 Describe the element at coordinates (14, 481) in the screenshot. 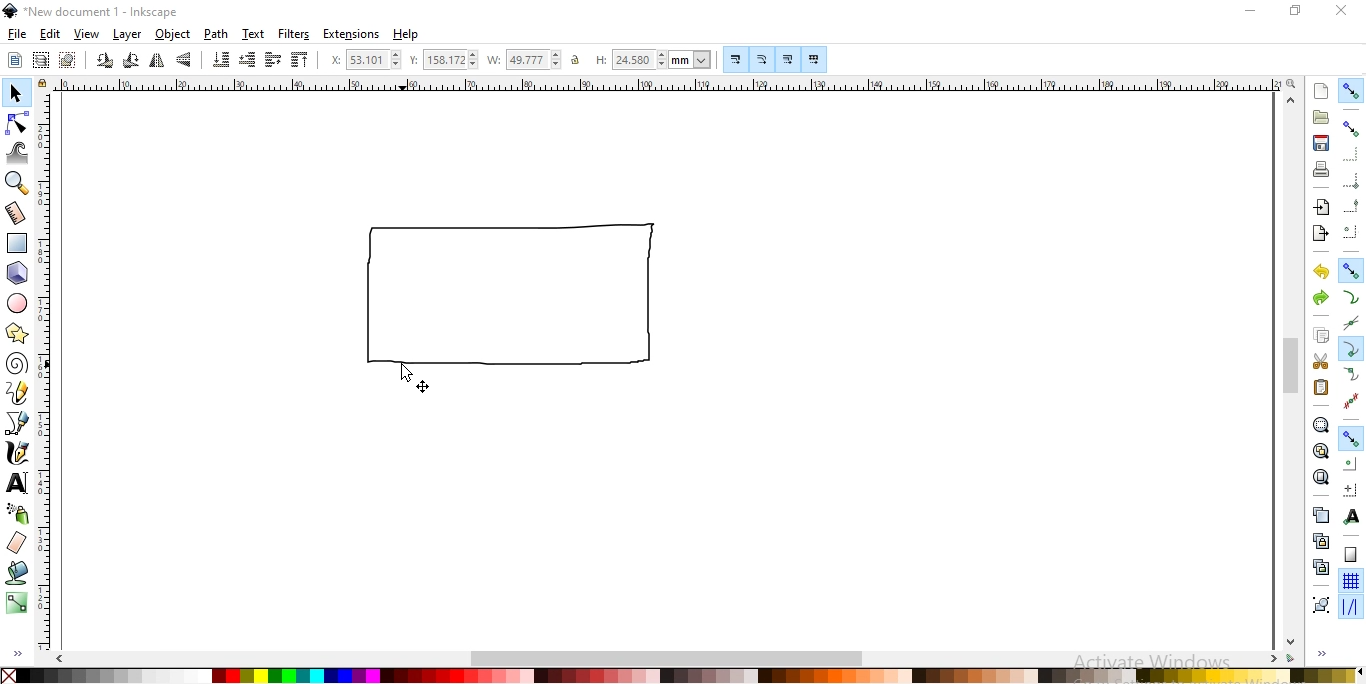

I see `create and edit text objects` at that location.